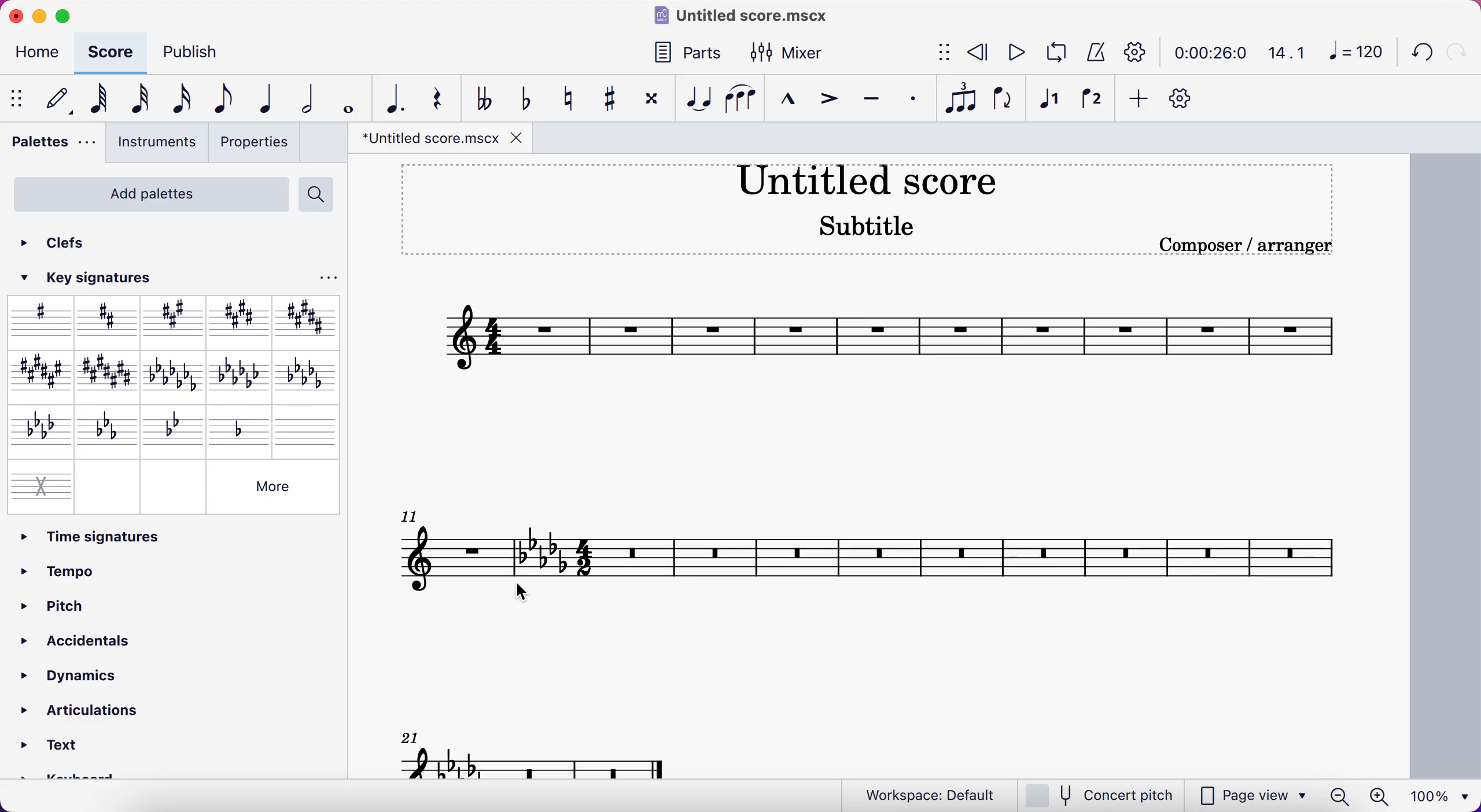 The height and width of the screenshot is (812, 1481). What do you see at coordinates (447, 556) in the screenshot?
I see `score` at bounding box center [447, 556].